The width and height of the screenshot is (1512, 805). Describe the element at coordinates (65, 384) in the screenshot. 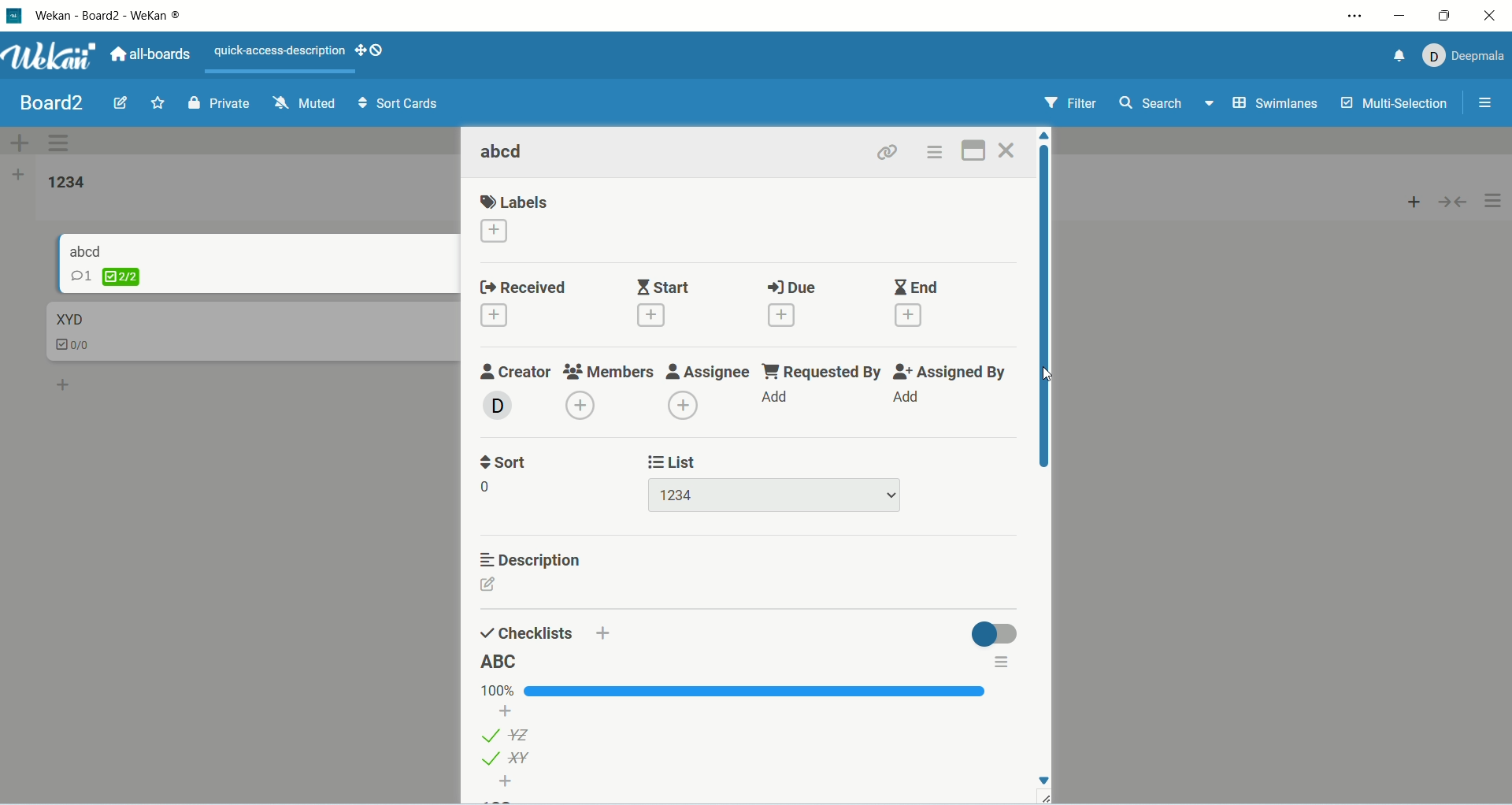

I see `add` at that location.